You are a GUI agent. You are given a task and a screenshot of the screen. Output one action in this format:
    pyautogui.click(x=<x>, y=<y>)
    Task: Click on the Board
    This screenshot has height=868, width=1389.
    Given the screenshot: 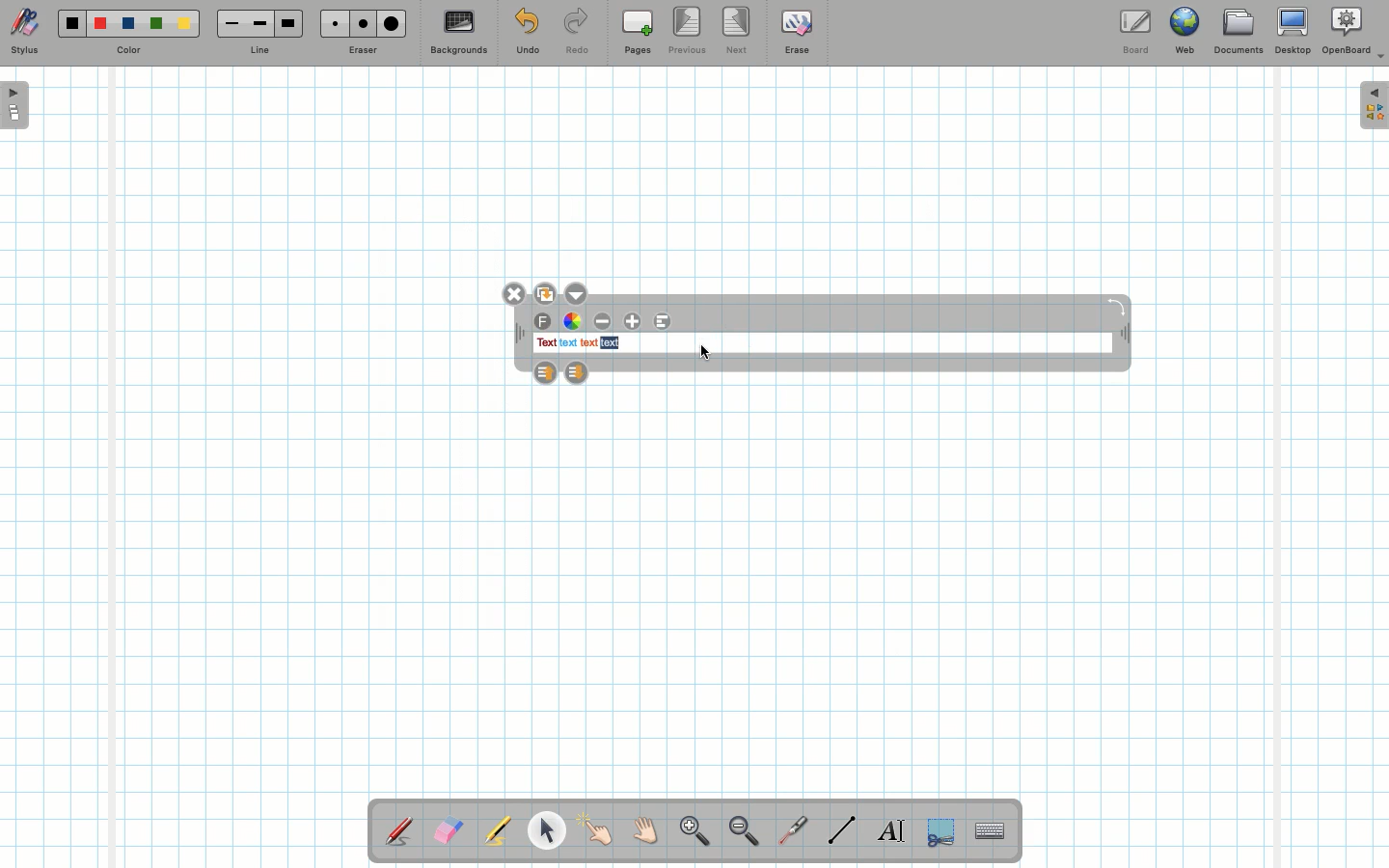 What is the action you would take?
    pyautogui.click(x=1134, y=32)
    